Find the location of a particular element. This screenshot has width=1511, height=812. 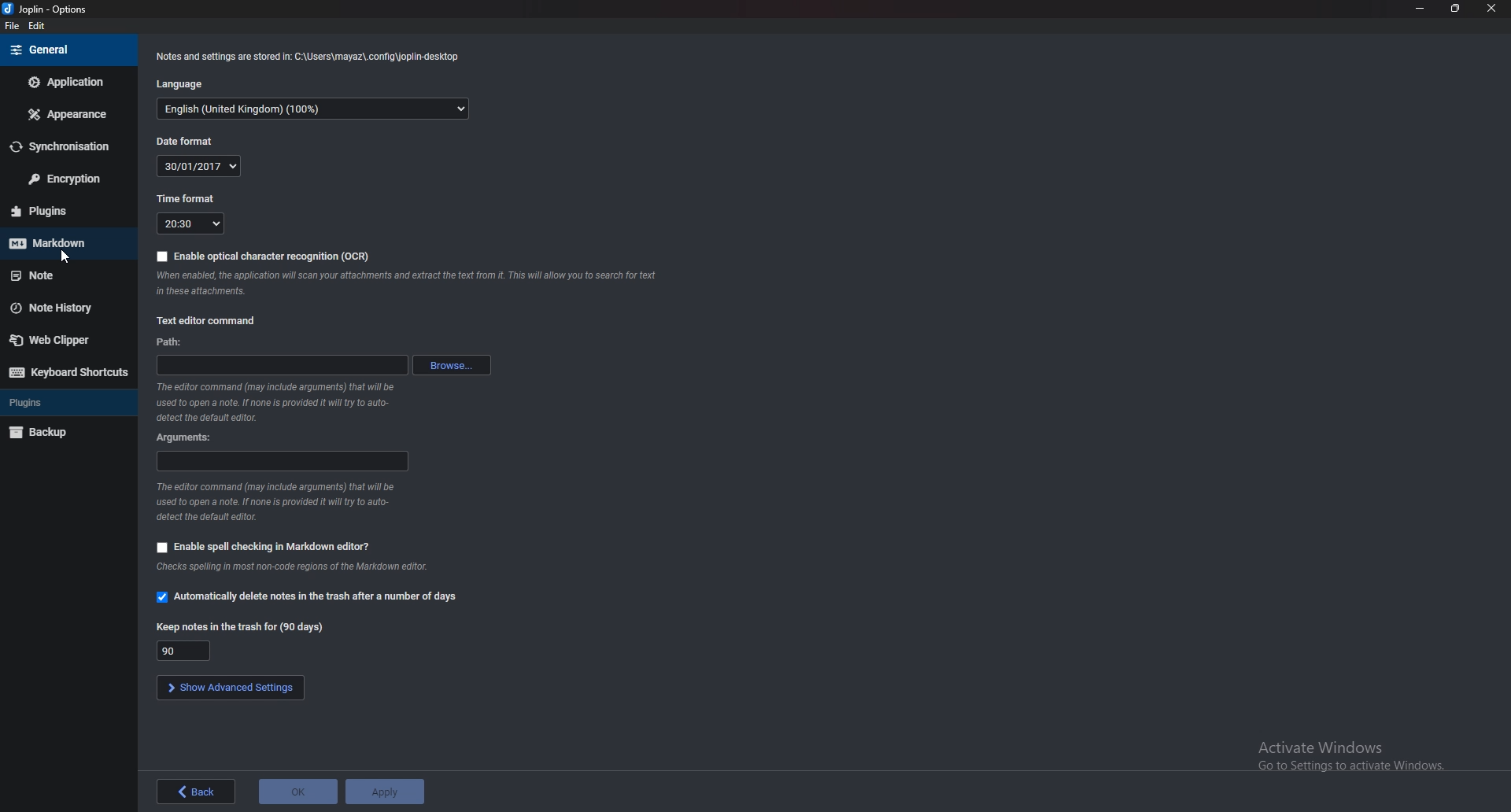

Language is located at coordinates (179, 83).